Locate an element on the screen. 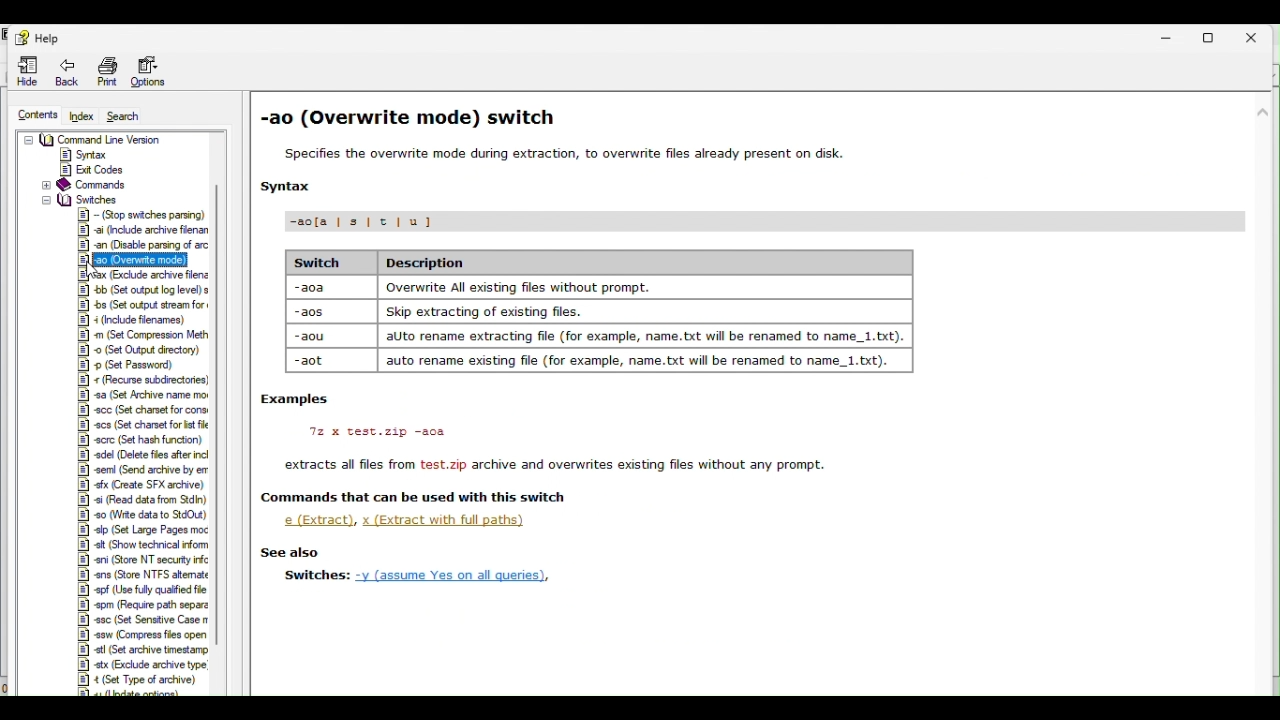  ‘Commands that can be used with this switch is located at coordinates (411, 497).